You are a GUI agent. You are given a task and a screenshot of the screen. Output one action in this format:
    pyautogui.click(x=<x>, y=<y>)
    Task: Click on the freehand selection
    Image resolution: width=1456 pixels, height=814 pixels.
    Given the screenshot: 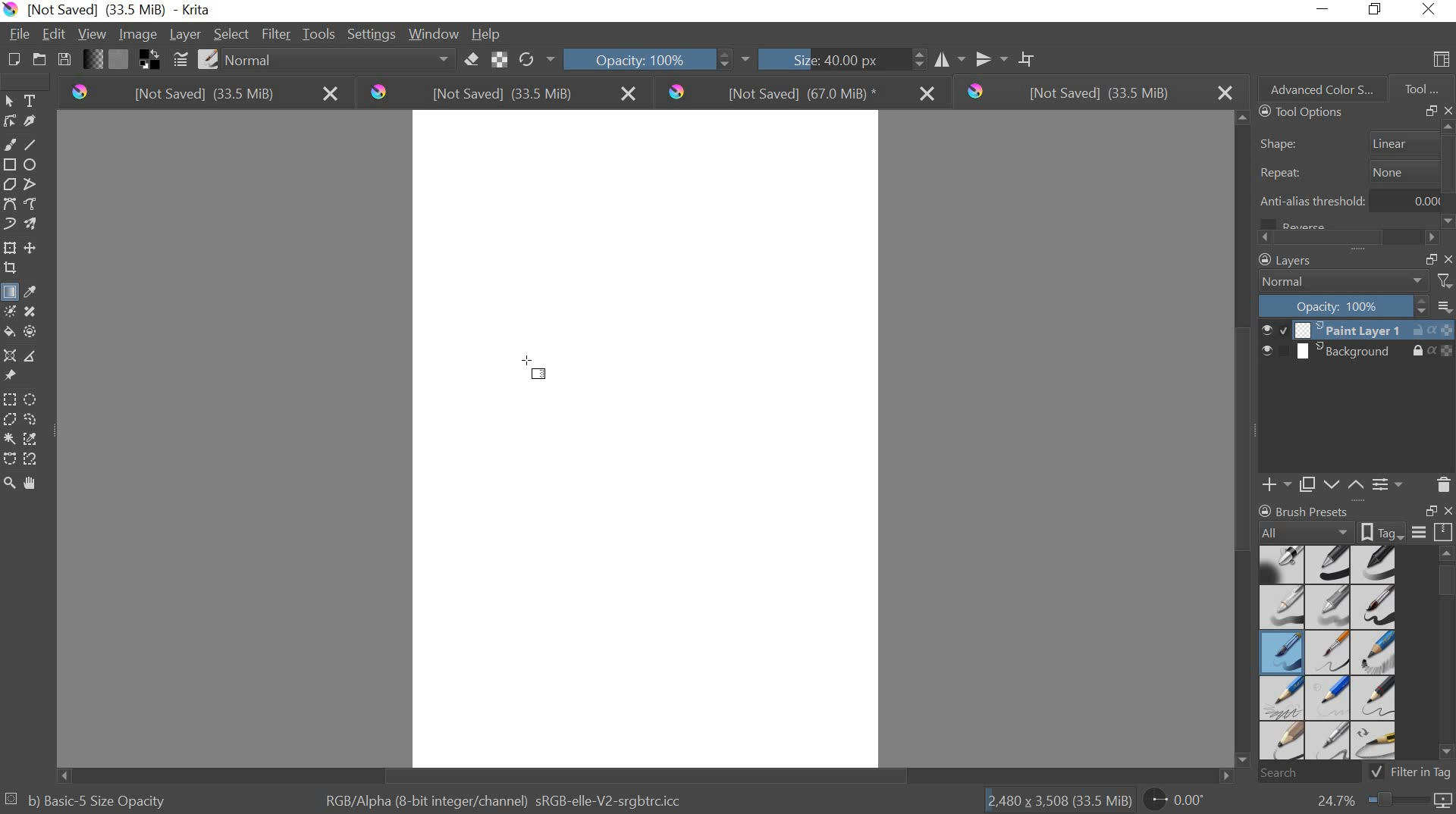 What is the action you would take?
    pyautogui.click(x=33, y=421)
    